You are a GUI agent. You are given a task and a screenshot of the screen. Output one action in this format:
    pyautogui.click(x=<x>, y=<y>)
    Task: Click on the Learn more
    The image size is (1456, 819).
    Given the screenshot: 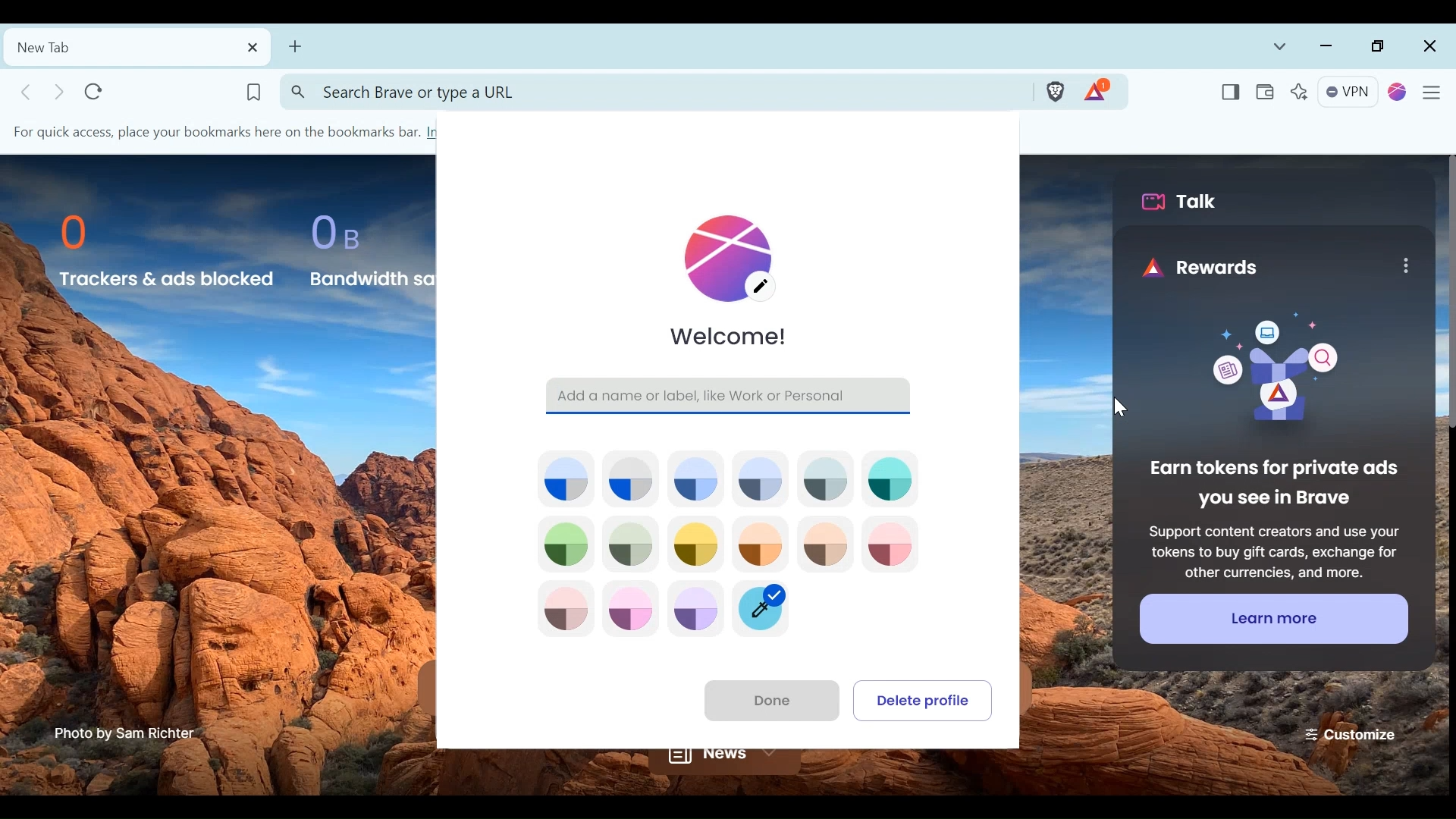 What is the action you would take?
    pyautogui.click(x=1272, y=618)
    